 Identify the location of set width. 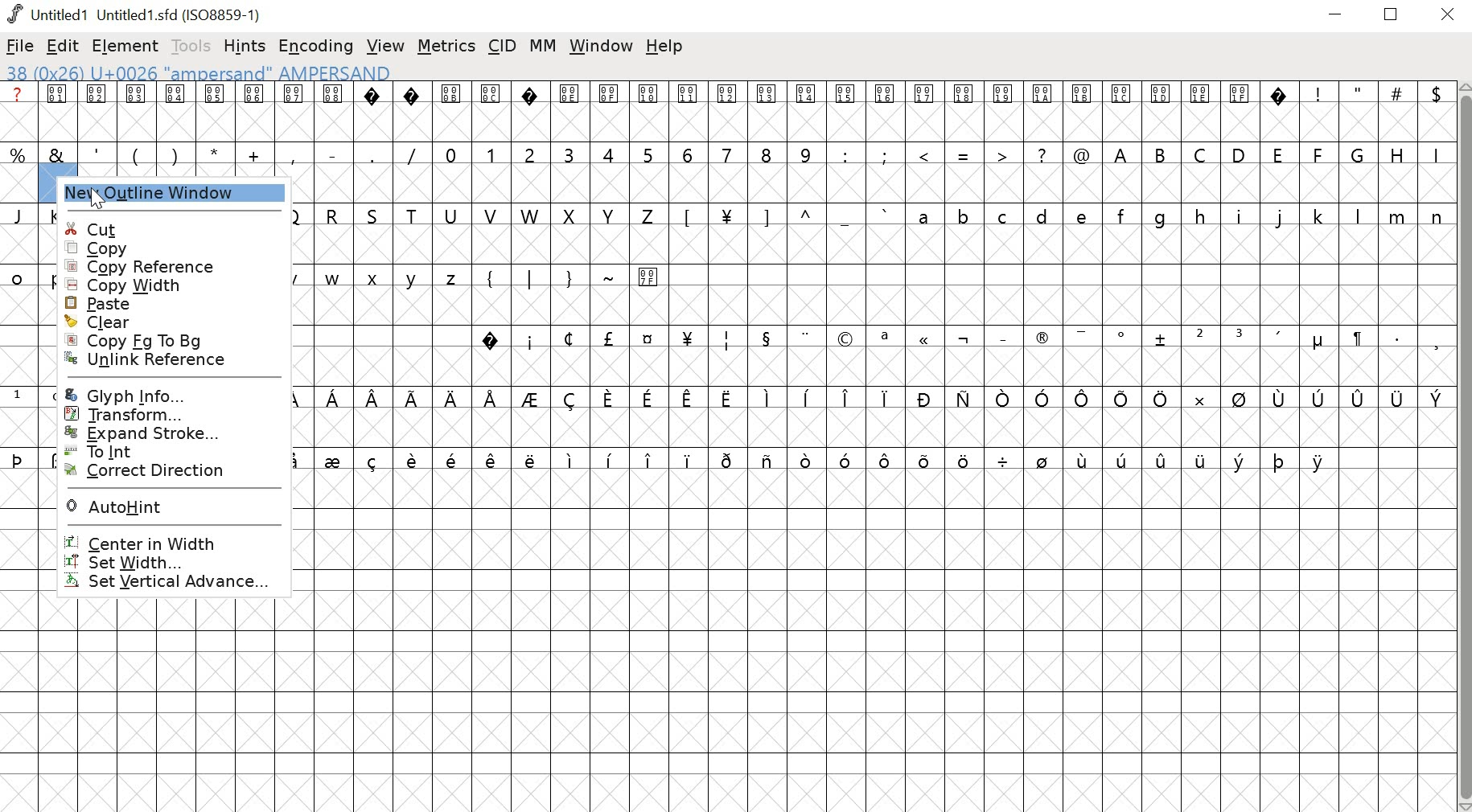
(179, 563).